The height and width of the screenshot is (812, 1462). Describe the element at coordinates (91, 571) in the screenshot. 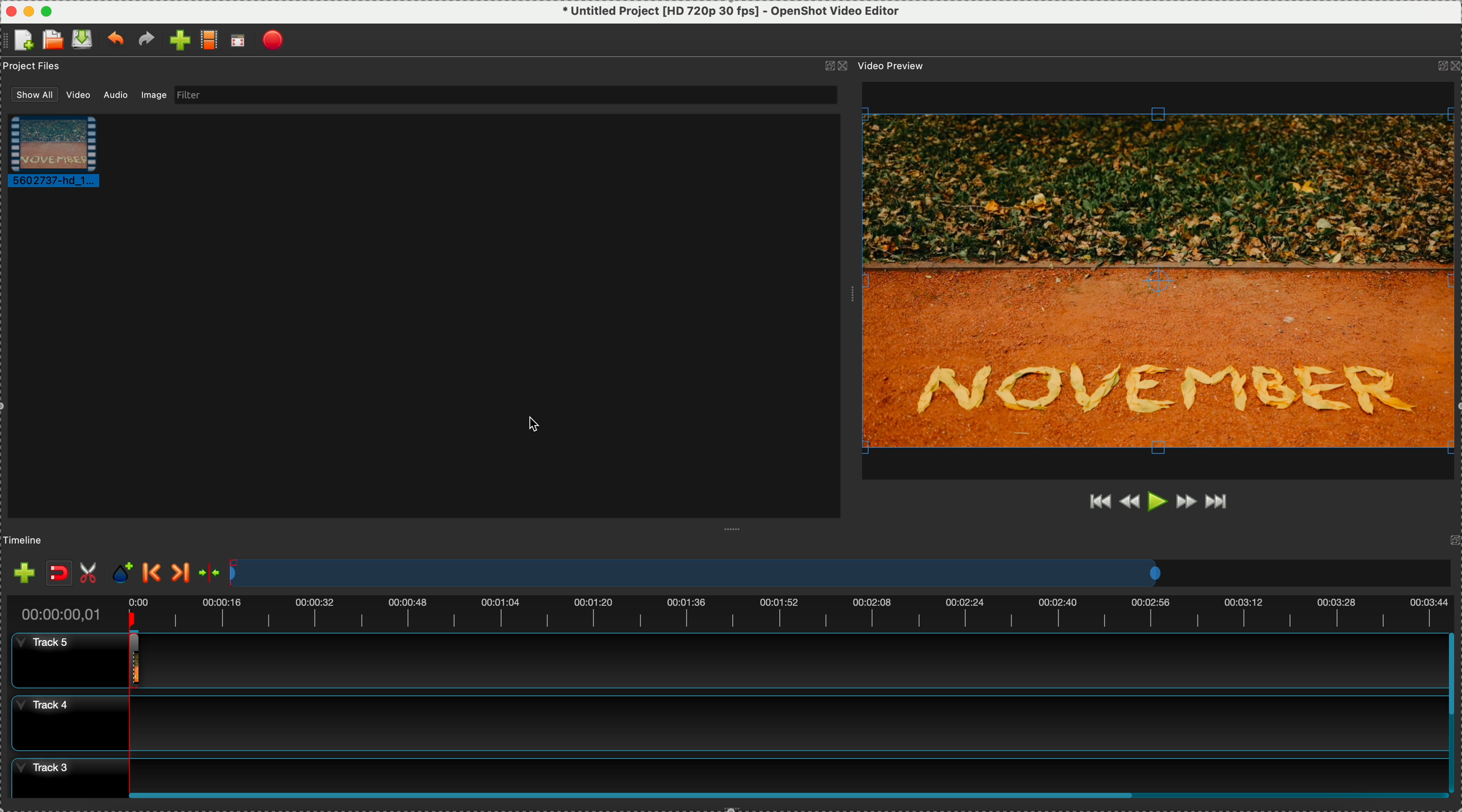

I see `enable razor` at that location.